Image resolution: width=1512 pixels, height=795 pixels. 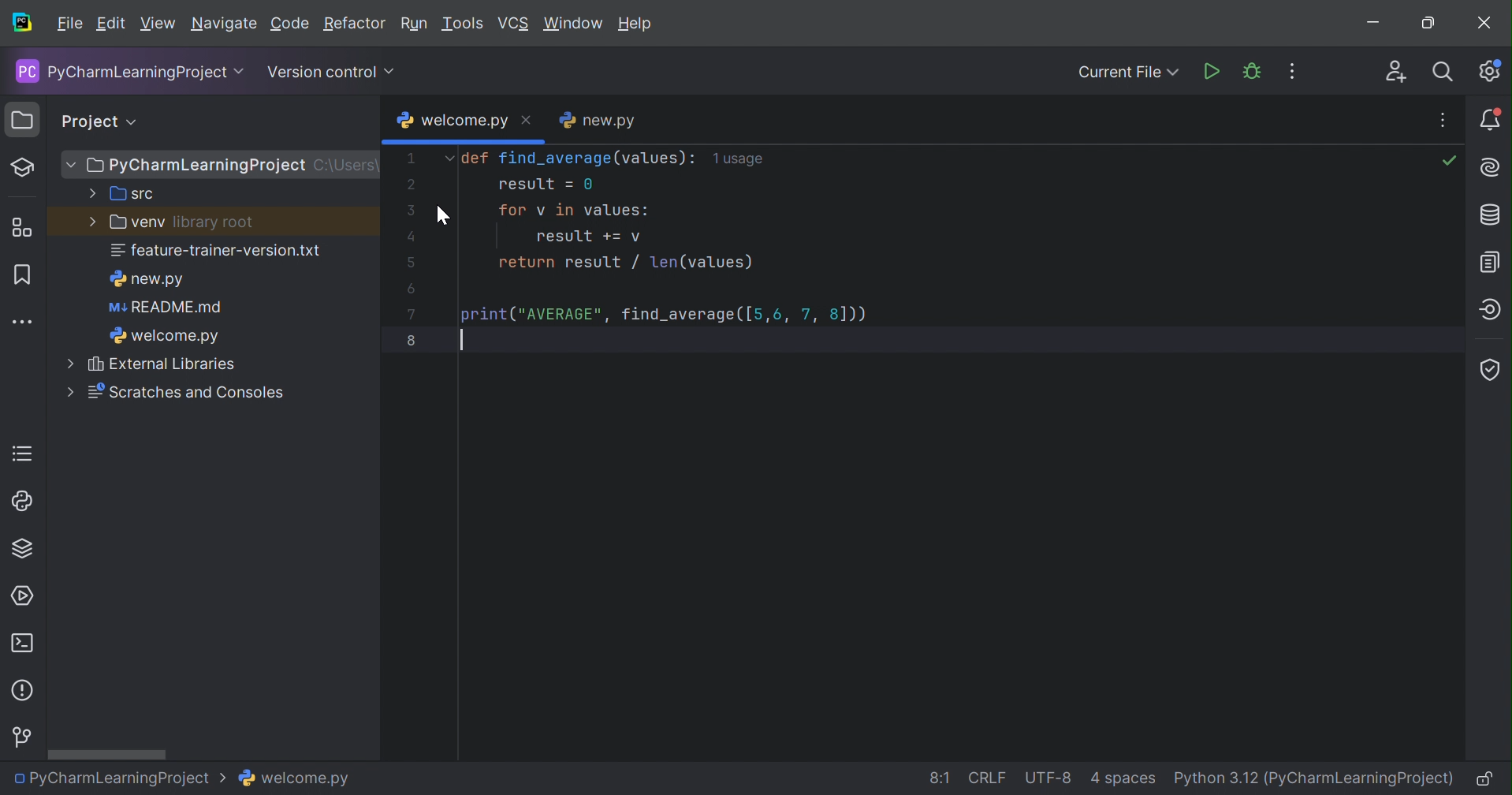 I want to click on File, so click(x=70, y=24).